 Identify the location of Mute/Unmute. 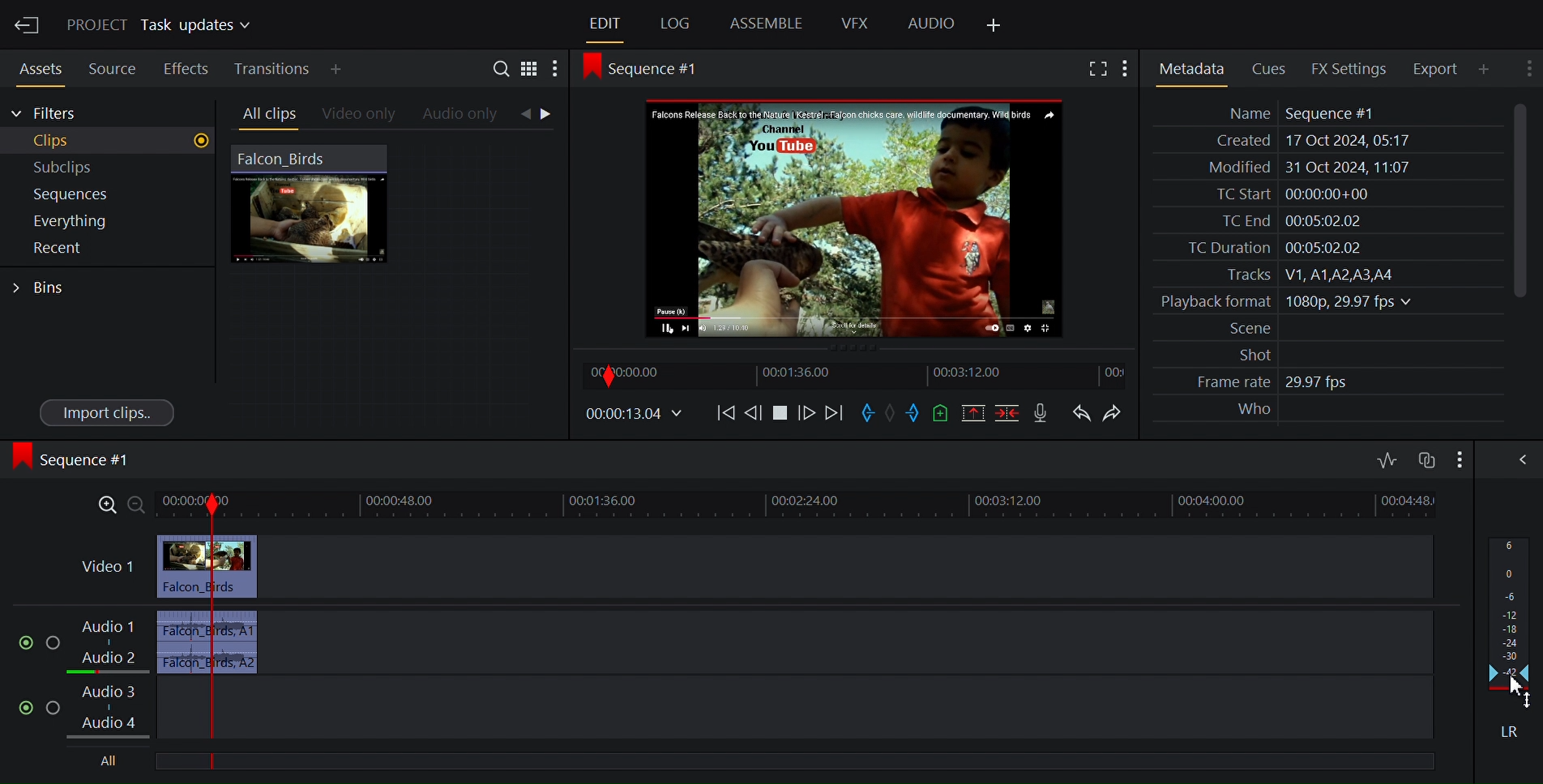
(20, 639).